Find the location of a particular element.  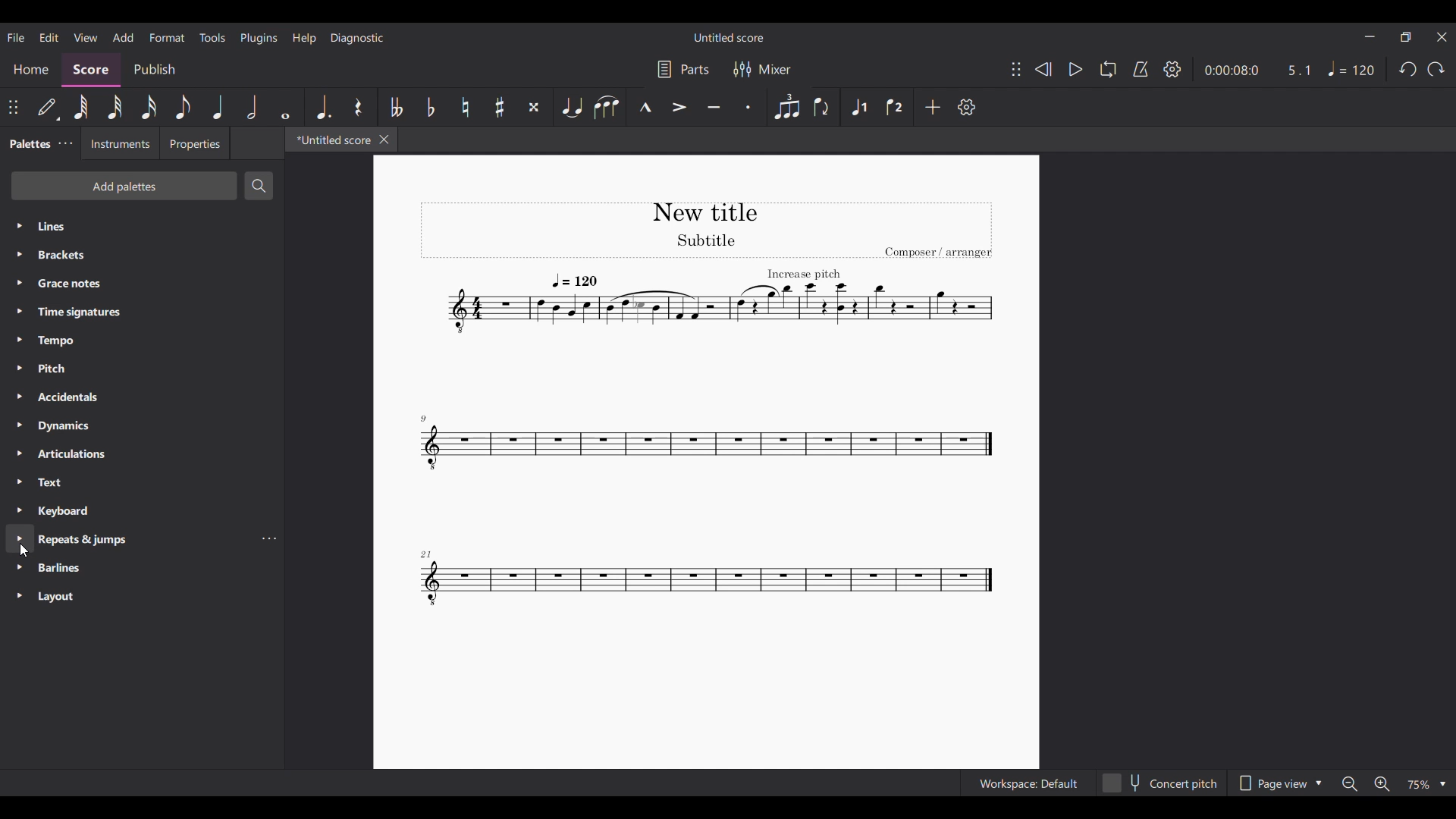

Toggle double flat is located at coordinates (394, 107).